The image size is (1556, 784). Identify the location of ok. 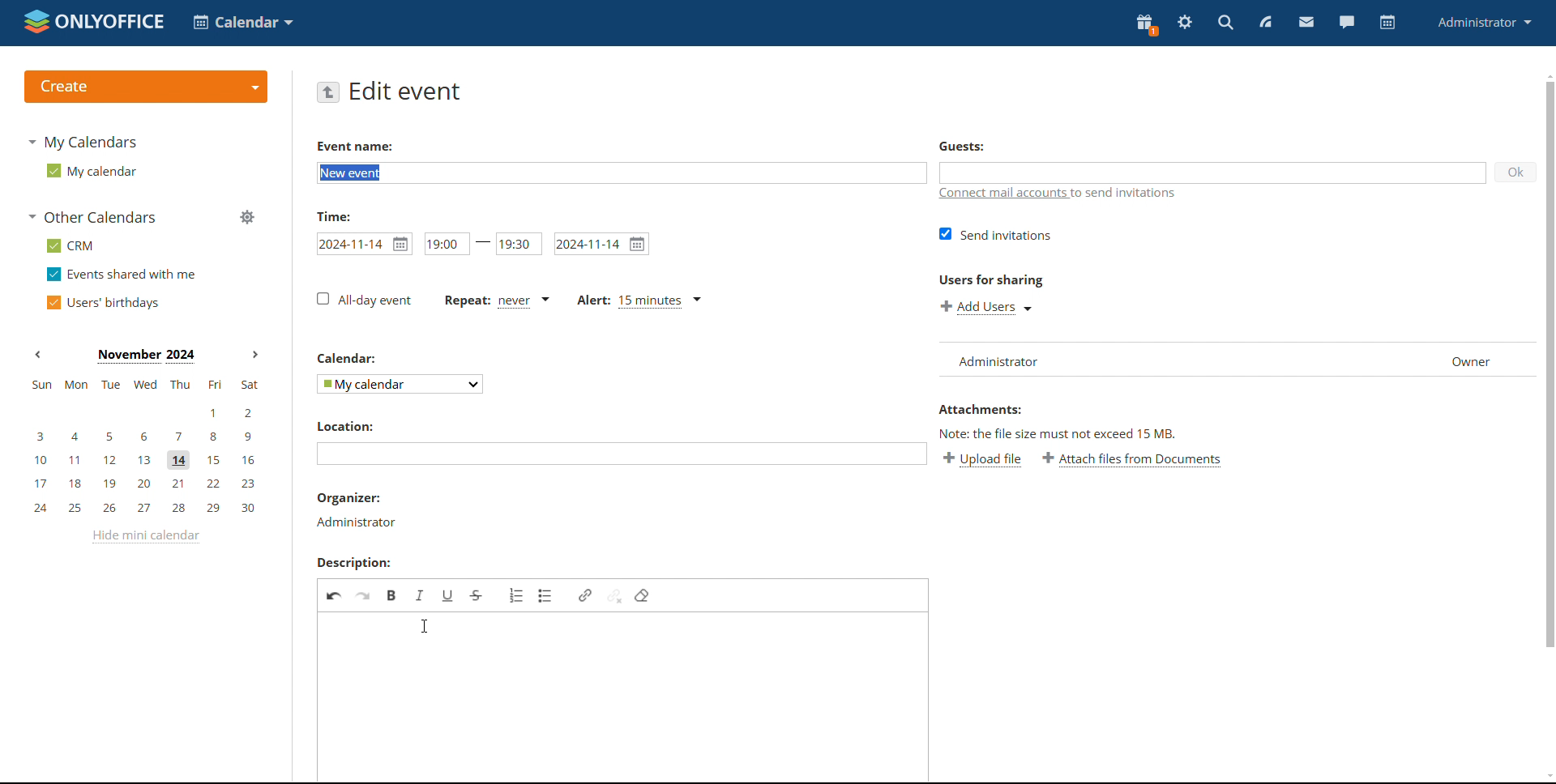
(1519, 172).